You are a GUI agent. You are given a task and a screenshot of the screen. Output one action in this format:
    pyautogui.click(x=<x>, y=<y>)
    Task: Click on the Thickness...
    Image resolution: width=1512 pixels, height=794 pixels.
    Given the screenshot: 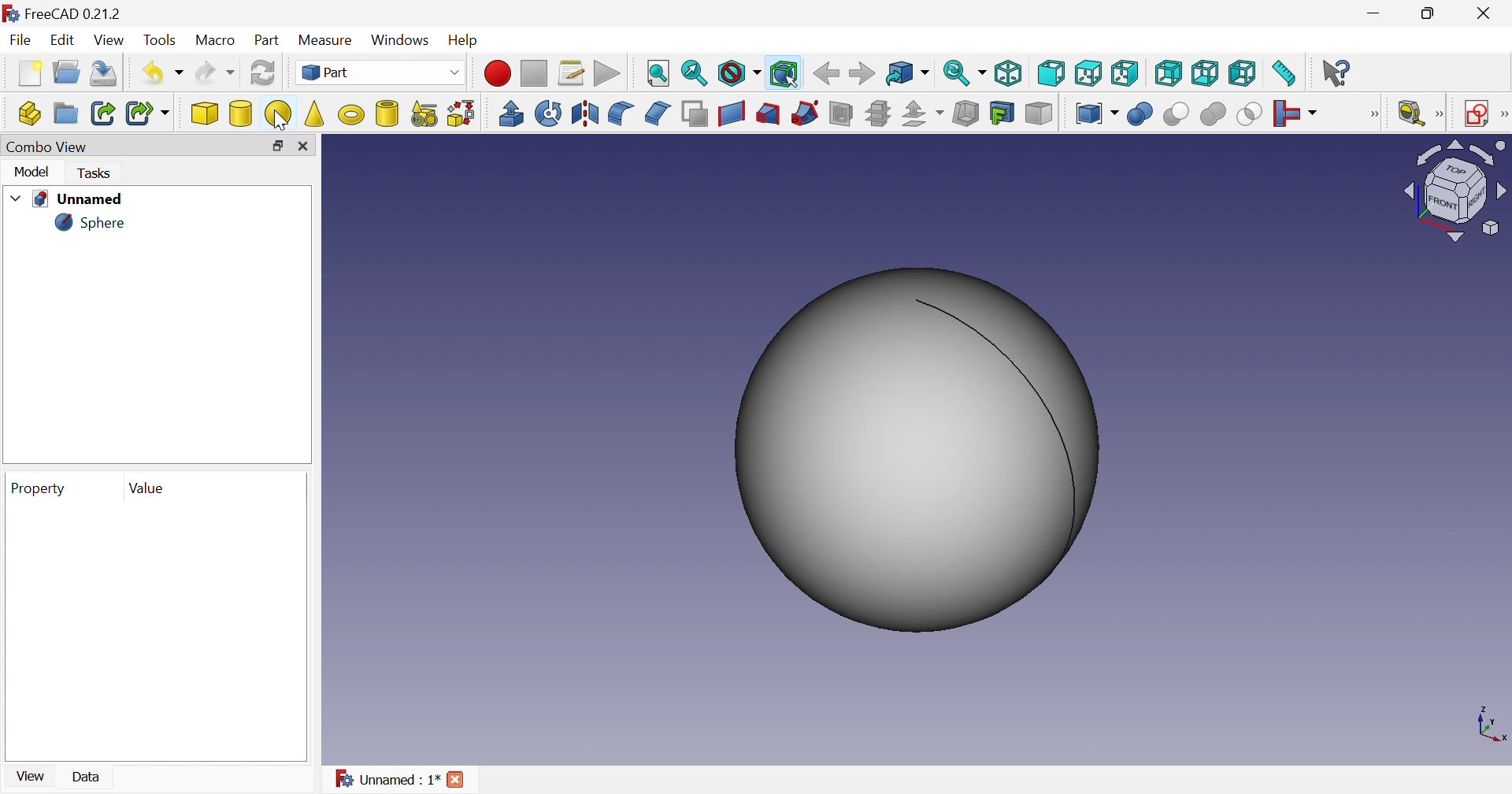 What is the action you would take?
    pyautogui.click(x=965, y=113)
    